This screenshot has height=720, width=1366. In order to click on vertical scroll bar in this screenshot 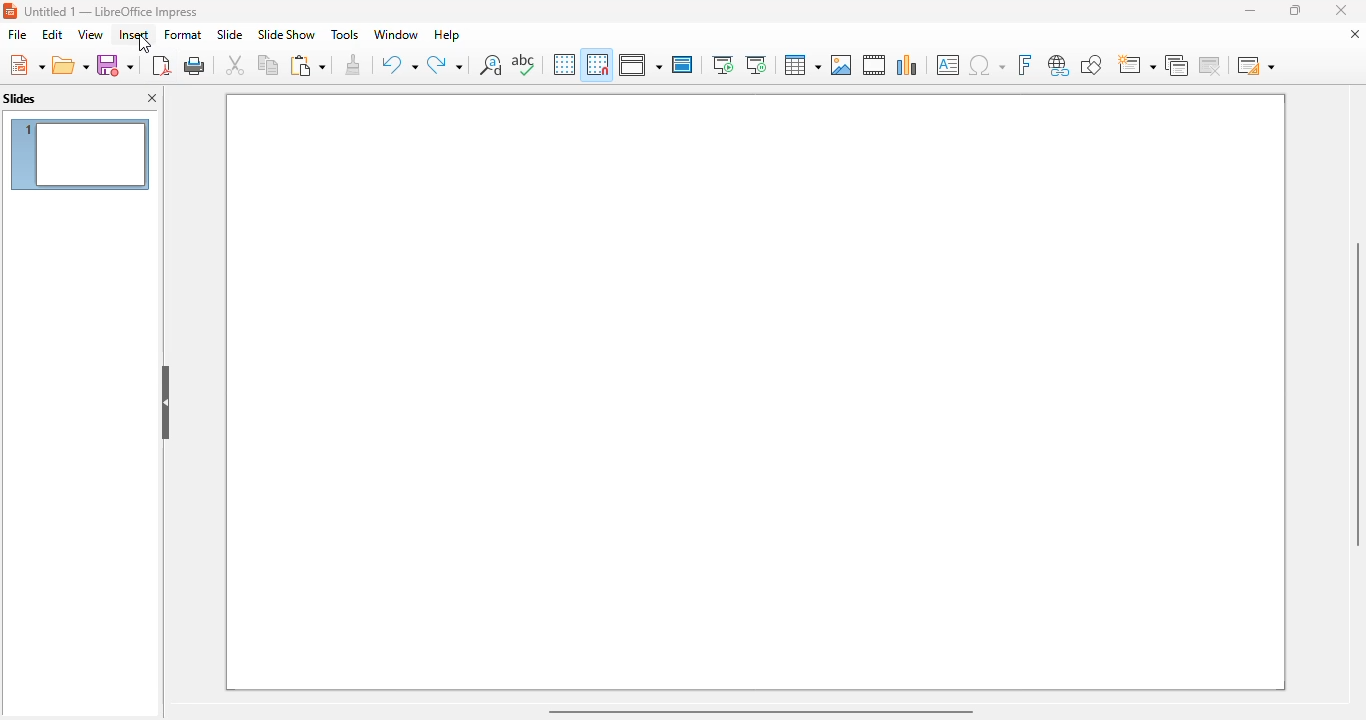, I will do `click(1354, 394)`.